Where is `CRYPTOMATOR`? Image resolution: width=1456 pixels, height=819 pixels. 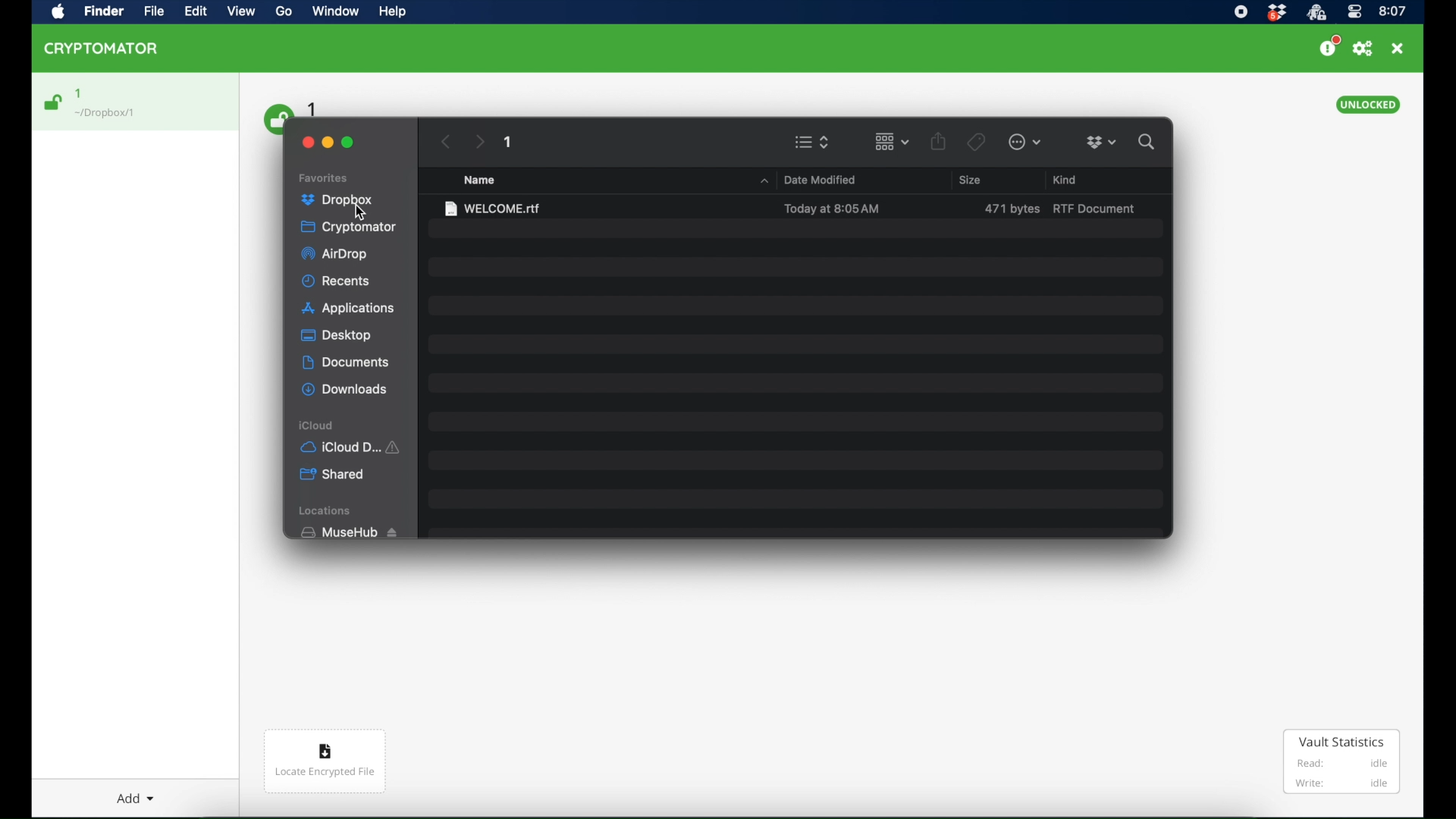 CRYPTOMATOR is located at coordinates (108, 51).